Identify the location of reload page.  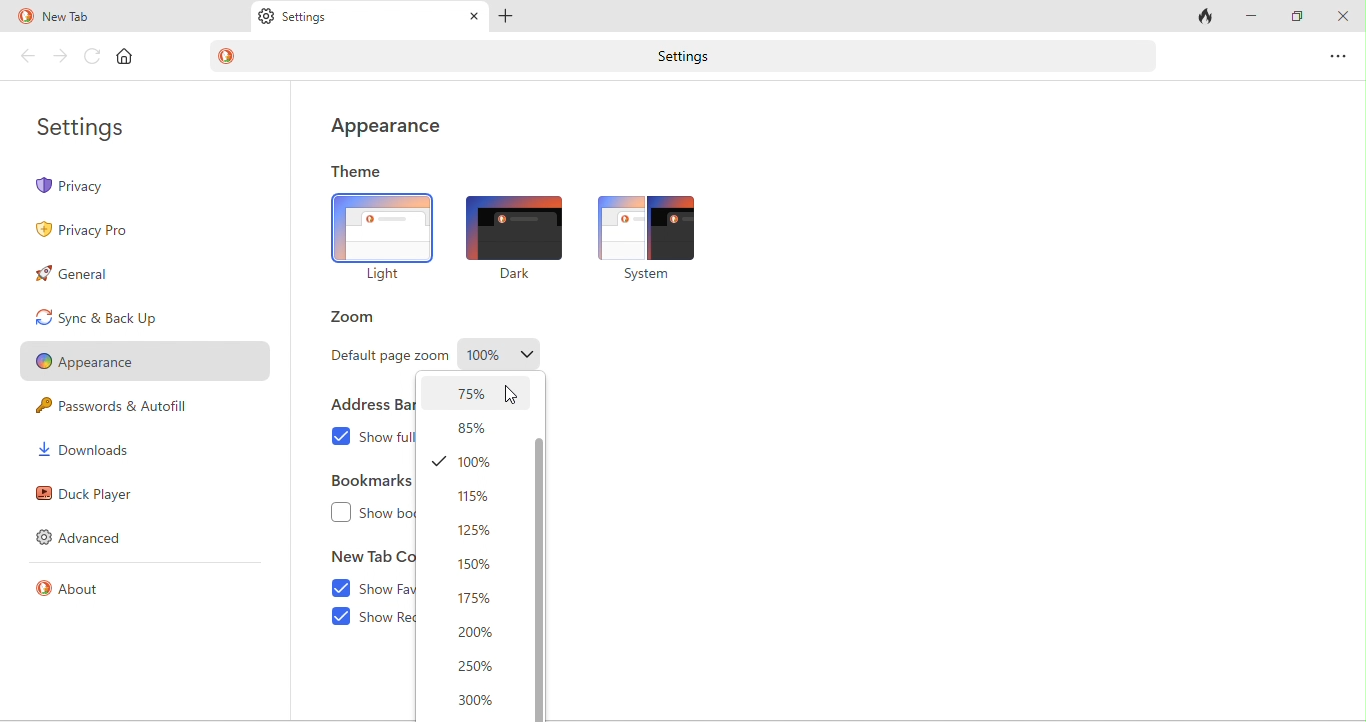
(93, 56).